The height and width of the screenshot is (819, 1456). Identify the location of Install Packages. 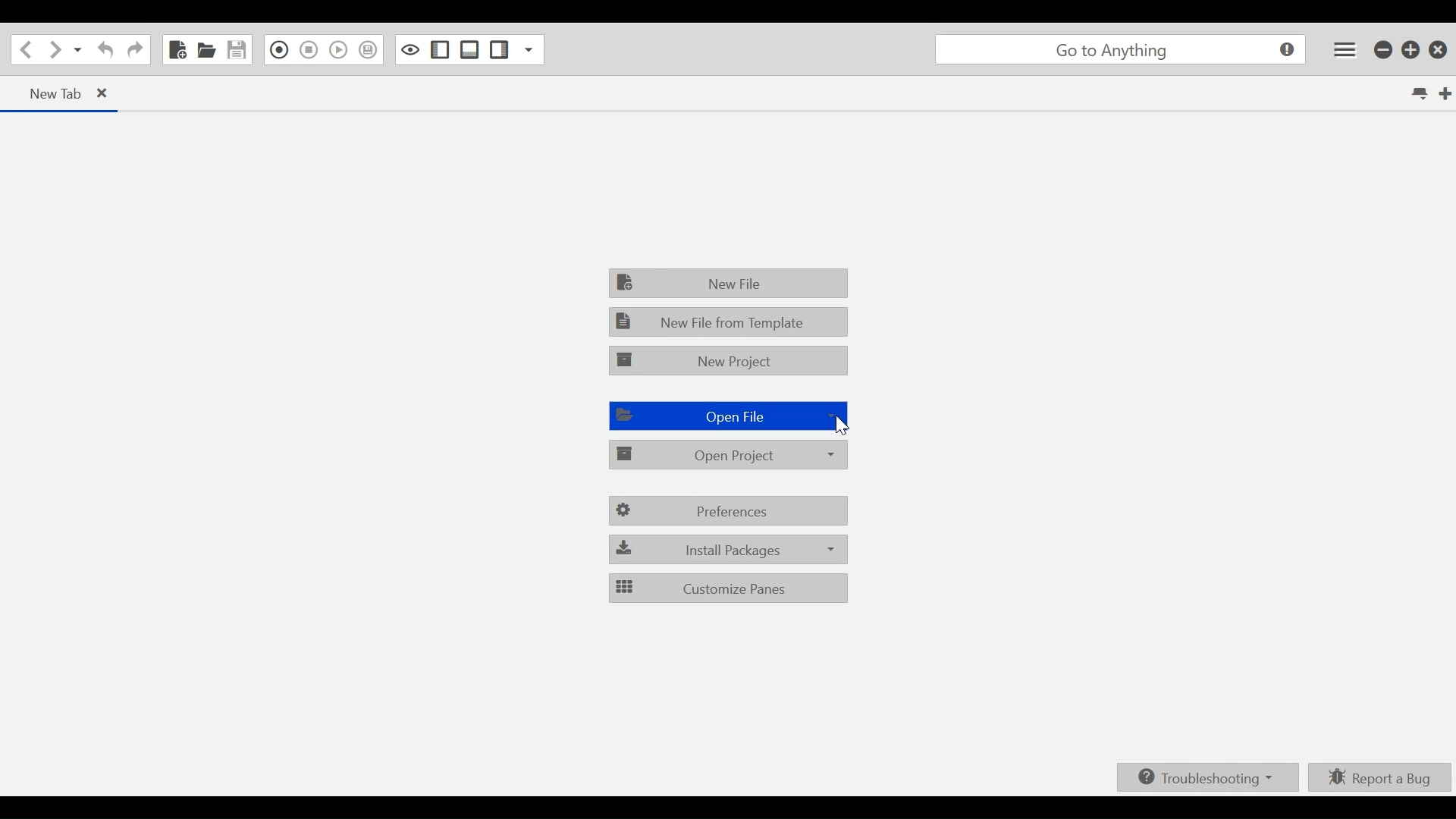
(730, 549).